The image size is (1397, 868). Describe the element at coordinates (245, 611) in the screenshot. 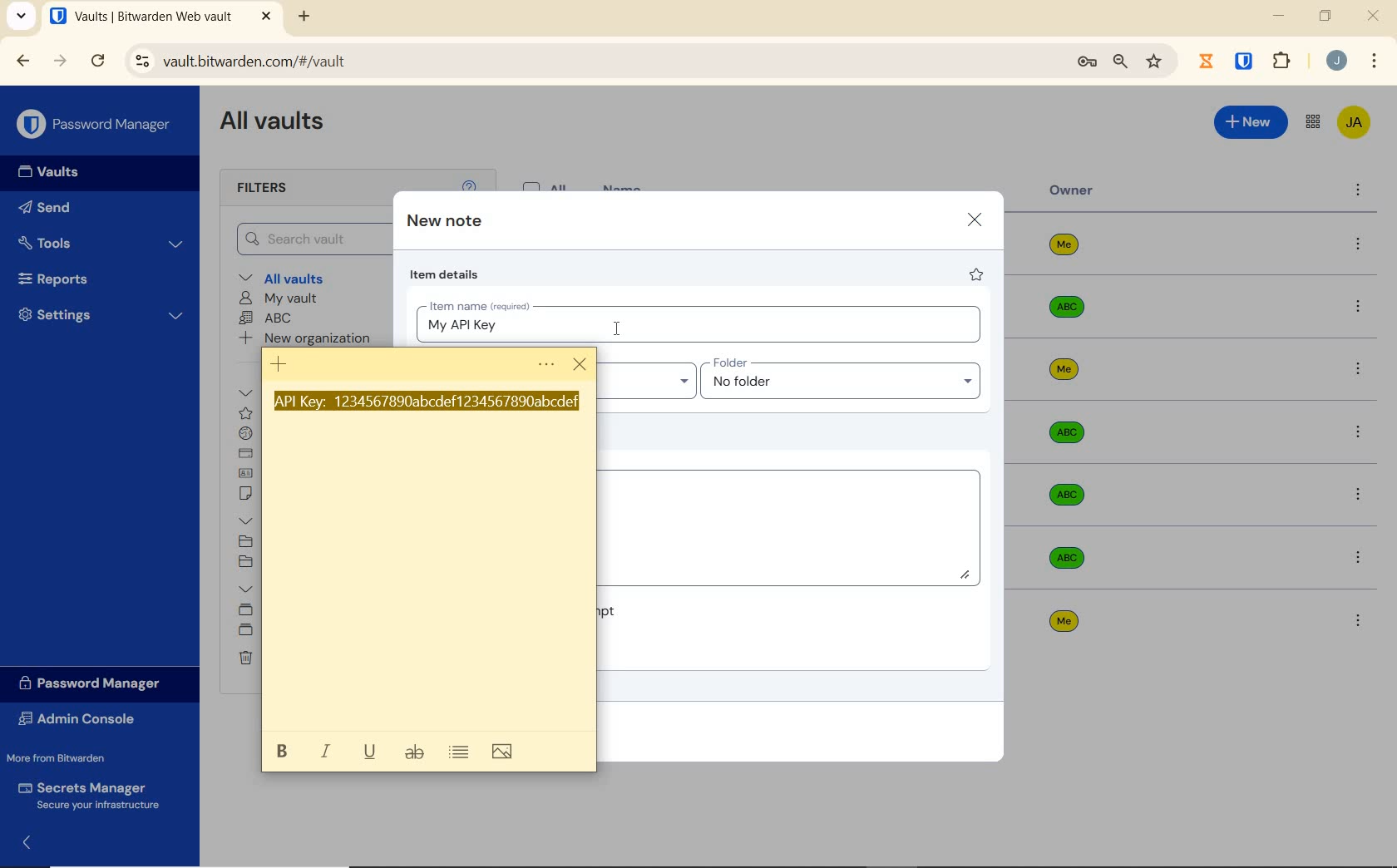

I see `Default collection` at that location.